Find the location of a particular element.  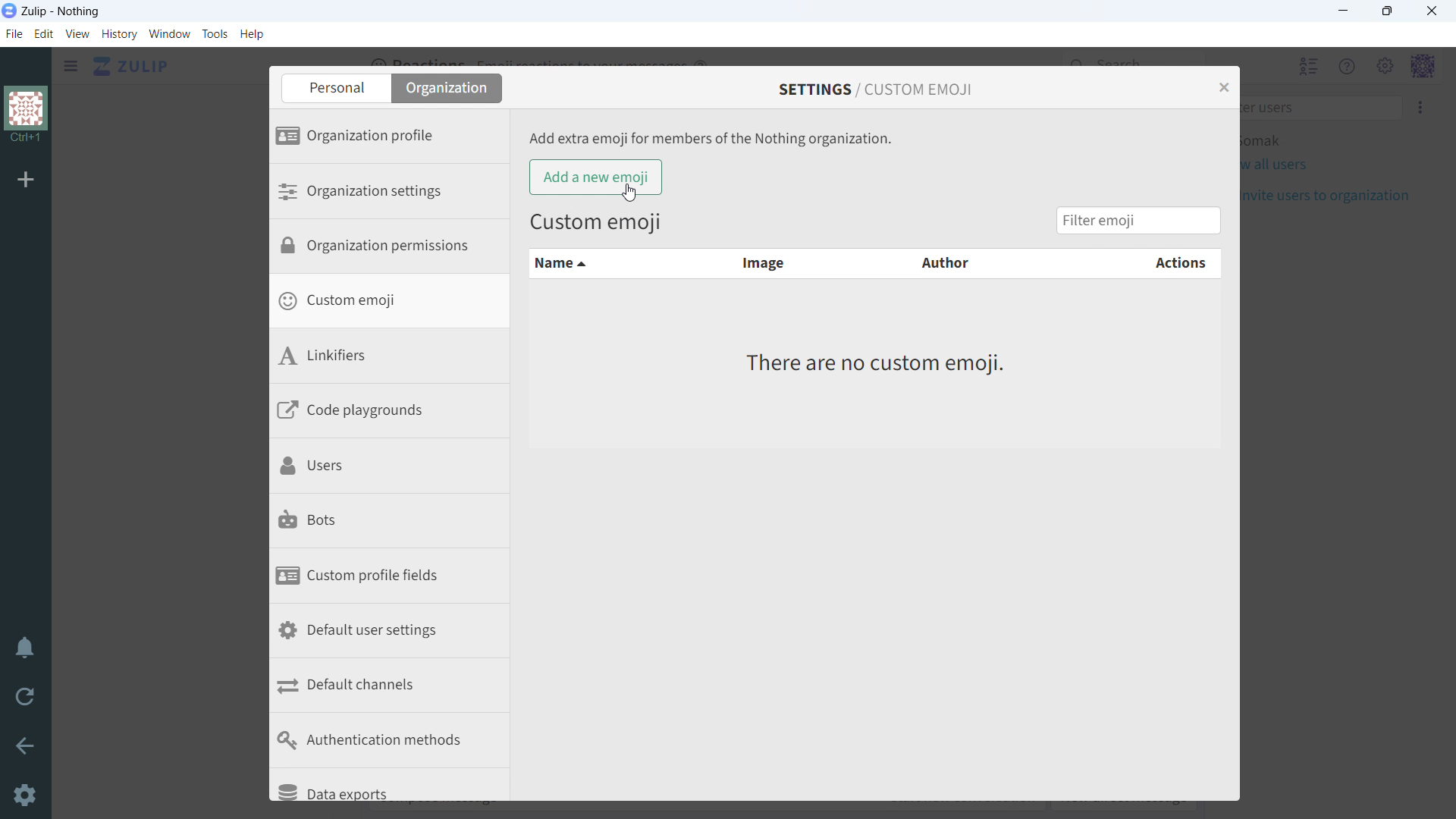

maximize is located at coordinates (1388, 11).